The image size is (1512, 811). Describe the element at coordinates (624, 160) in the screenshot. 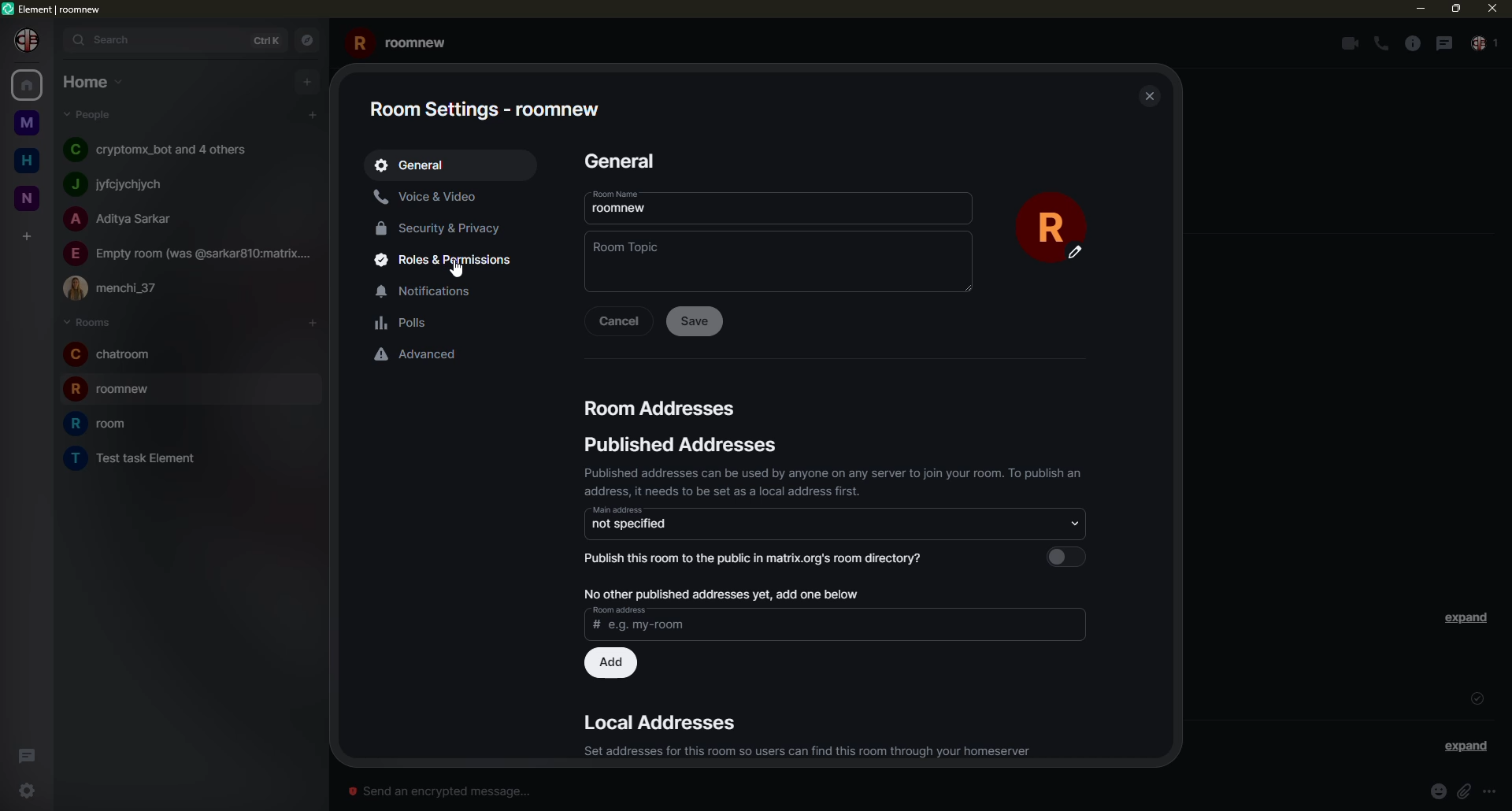

I see `general` at that location.